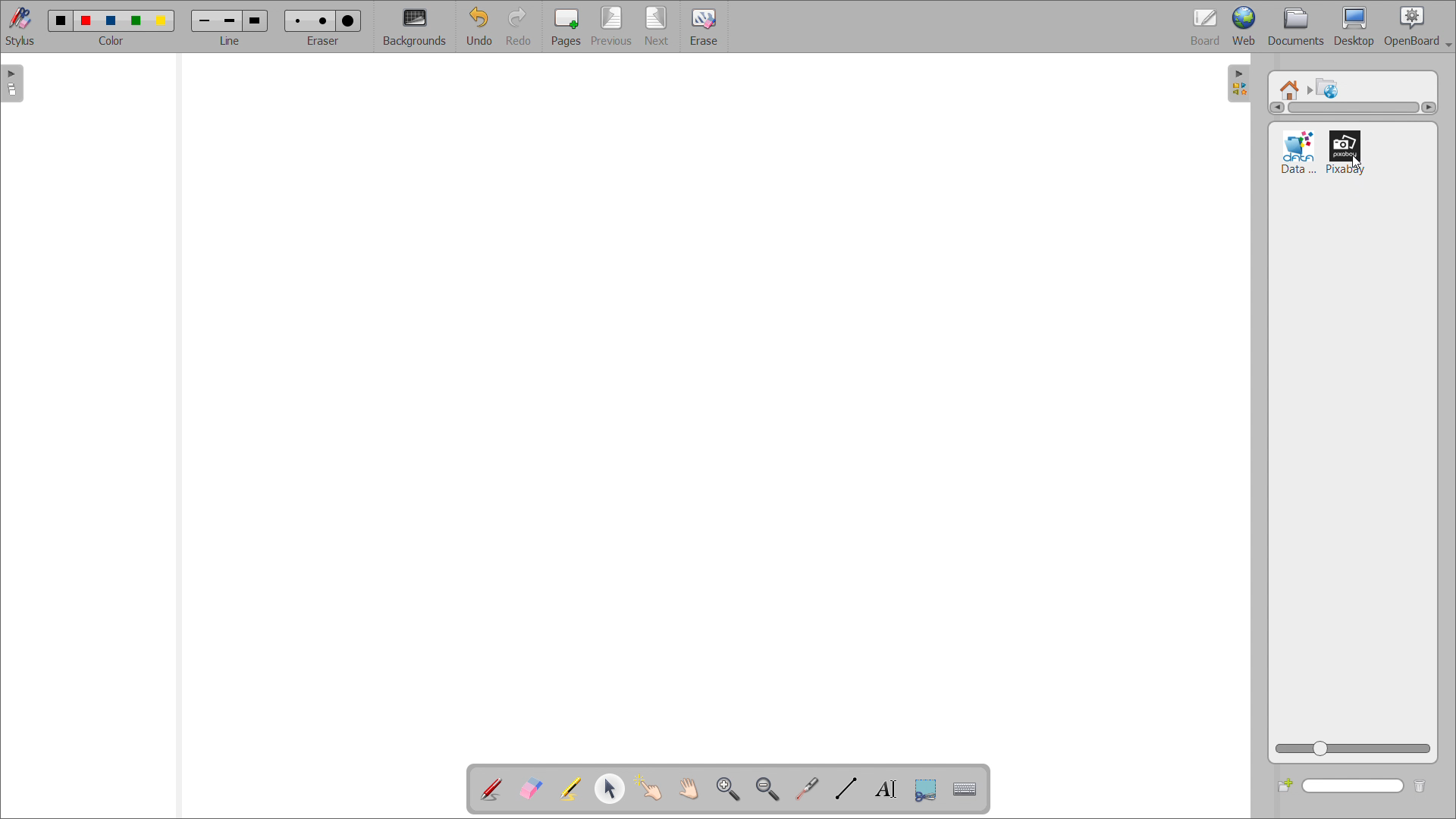  Describe the element at coordinates (1360, 163) in the screenshot. I see `Cursor ` at that location.